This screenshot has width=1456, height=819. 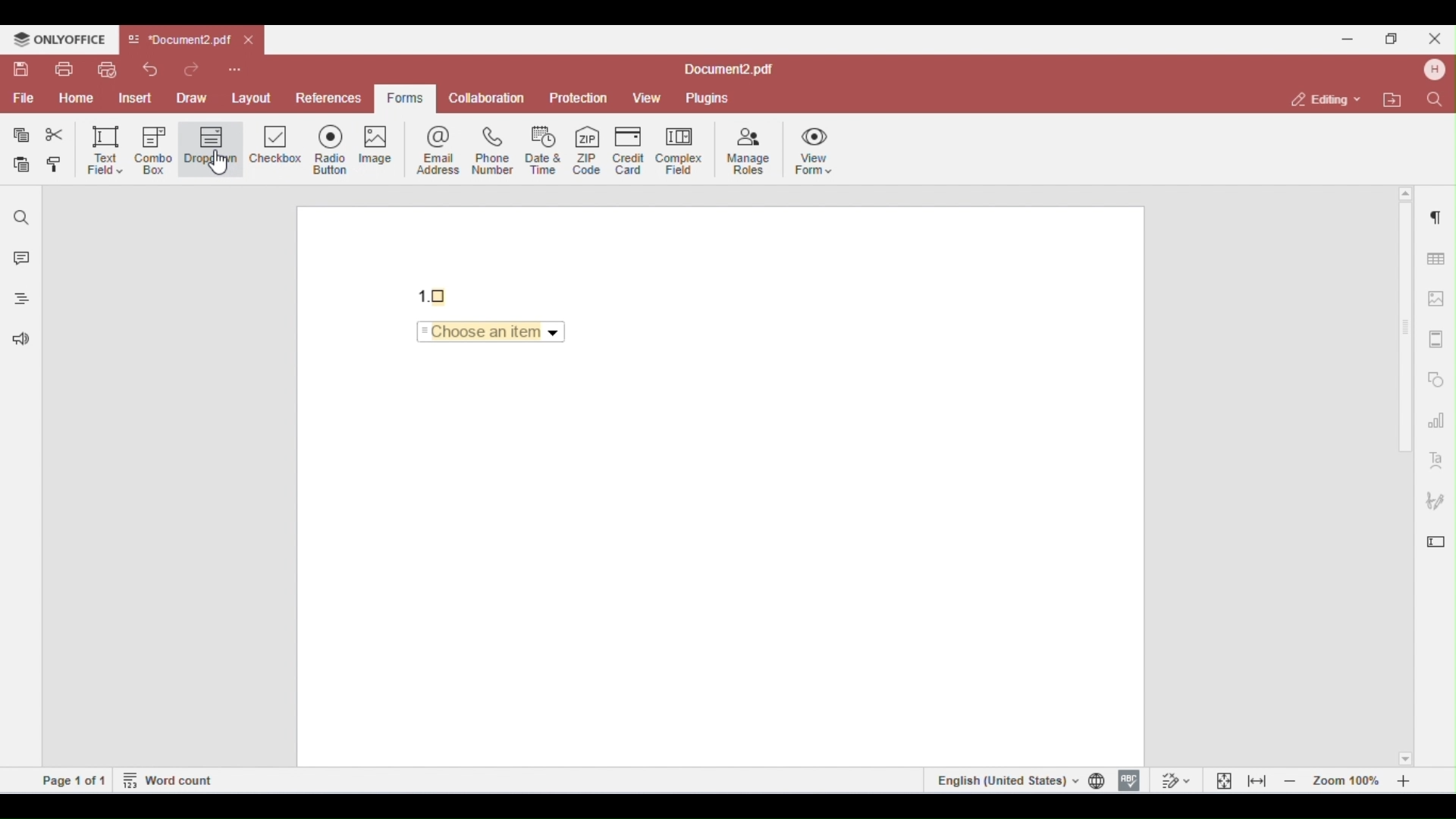 I want to click on set text language, so click(x=1005, y=780).